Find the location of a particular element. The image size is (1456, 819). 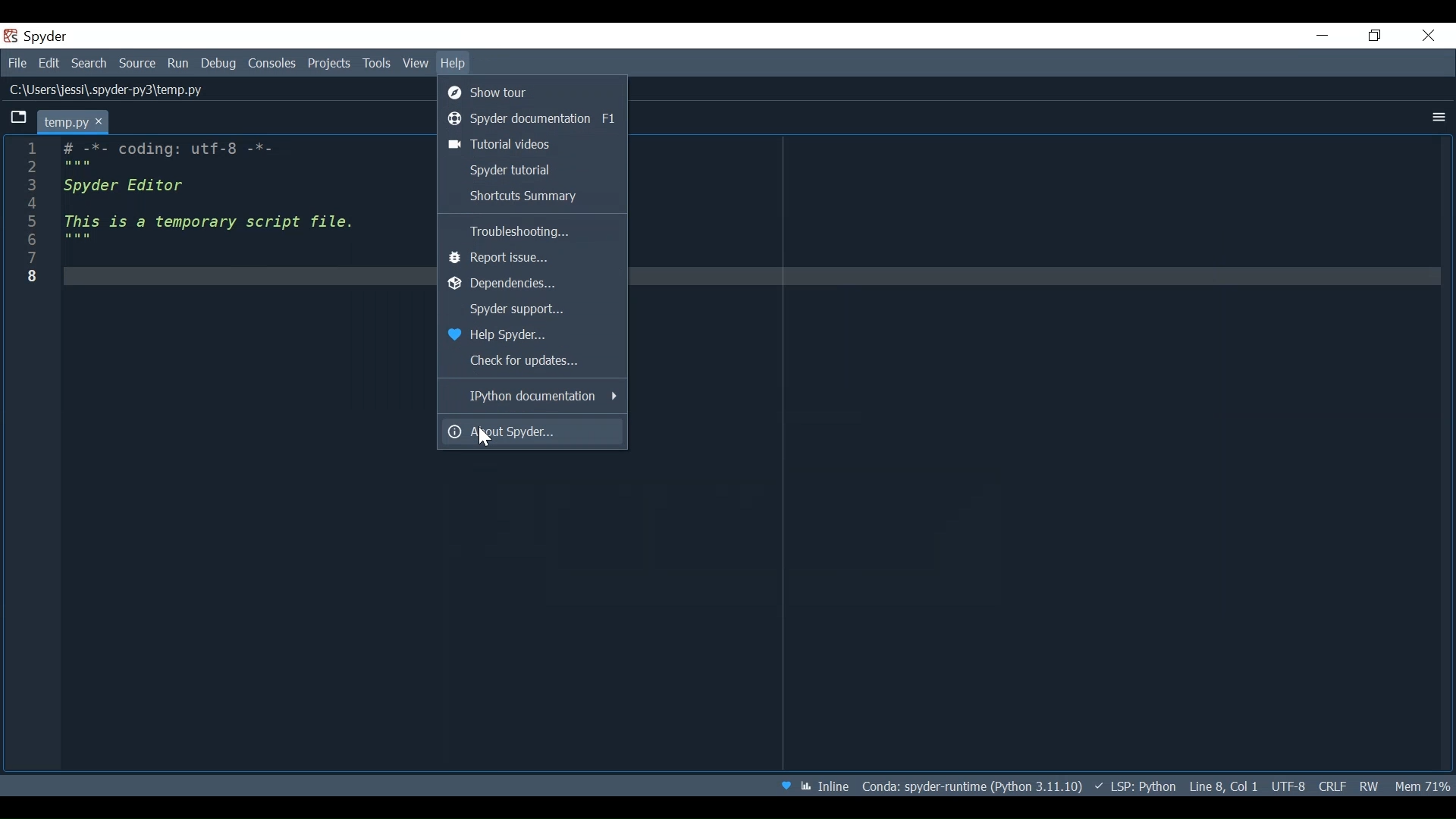

Cursor Position is located at coordinates (1223, 787).